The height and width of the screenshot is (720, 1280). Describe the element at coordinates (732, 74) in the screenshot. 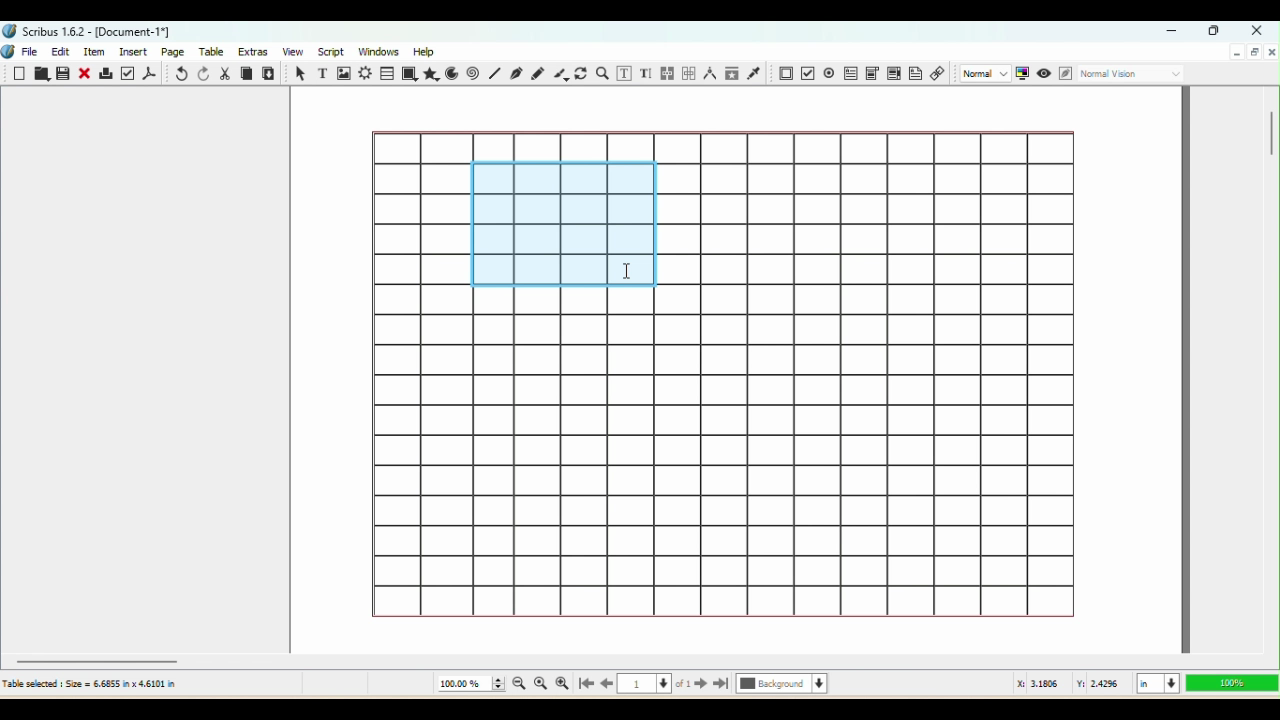

I see `Copy item properties` at that location.